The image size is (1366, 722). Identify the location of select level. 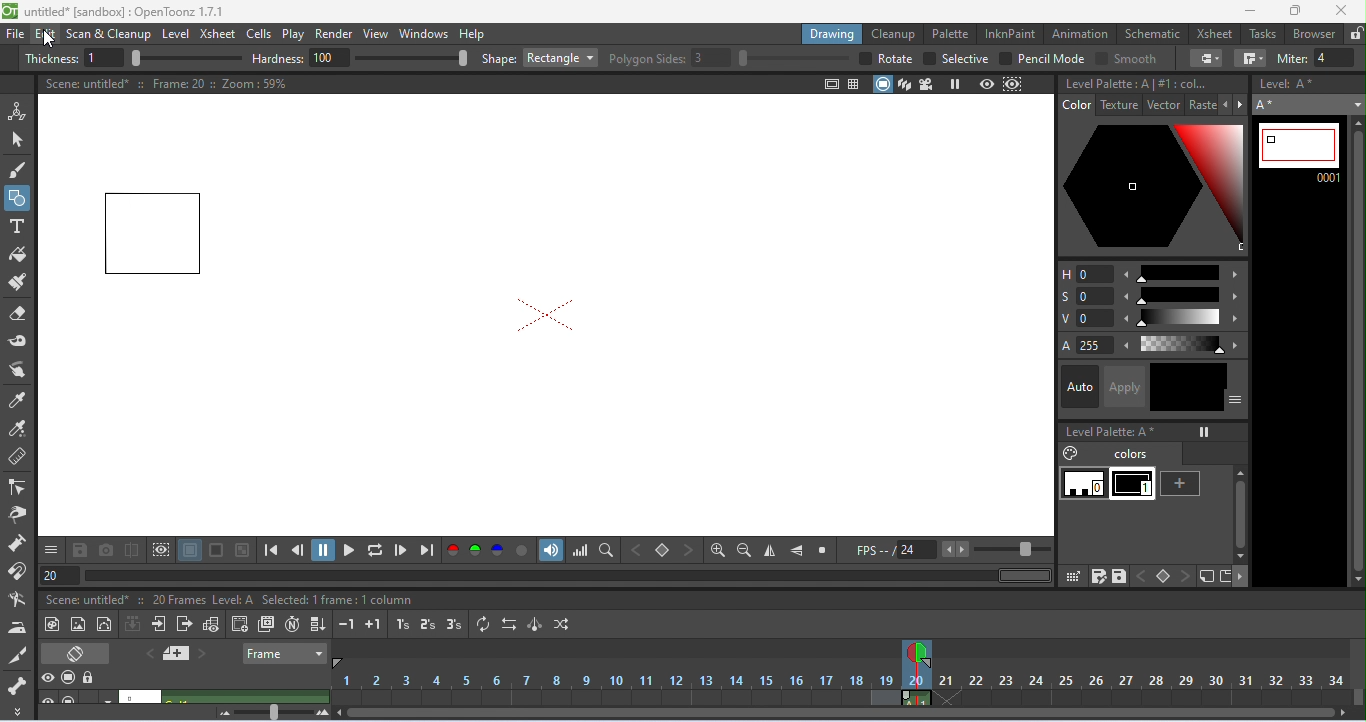
(1307, 104).